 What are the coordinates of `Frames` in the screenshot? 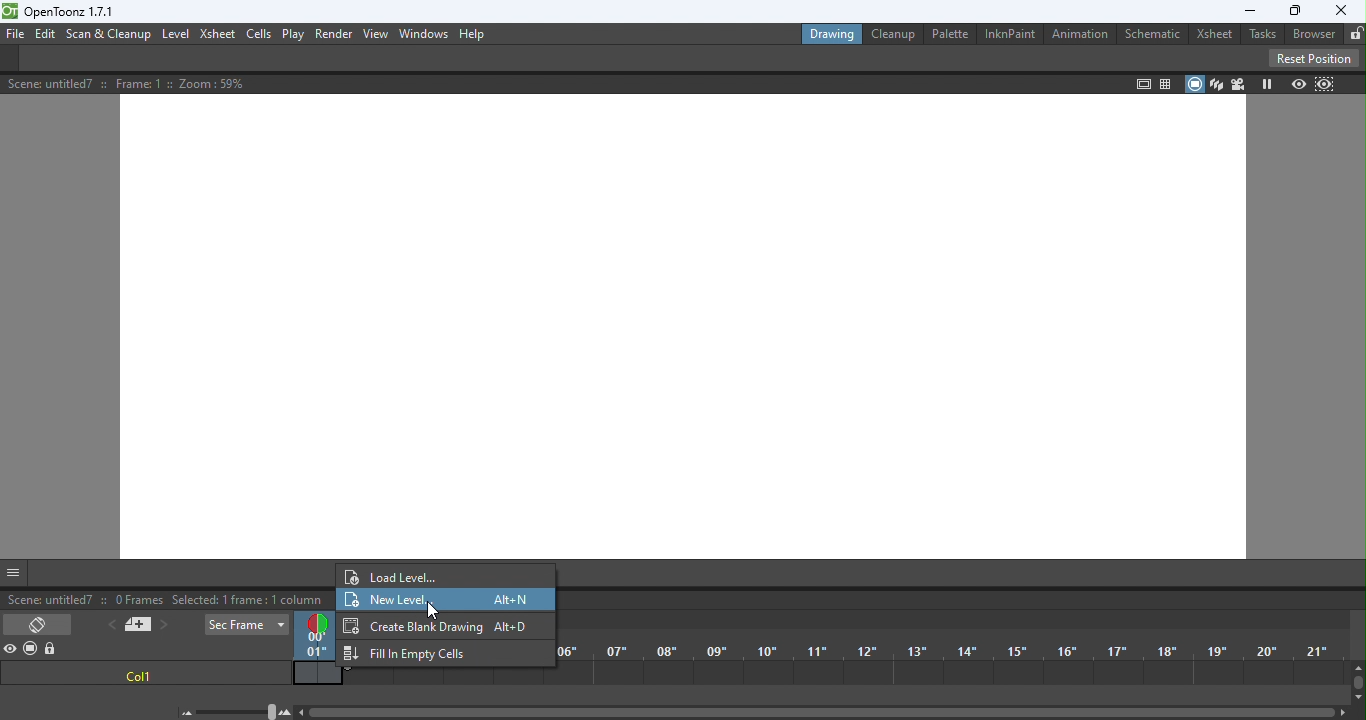 It's located at (953, 665).